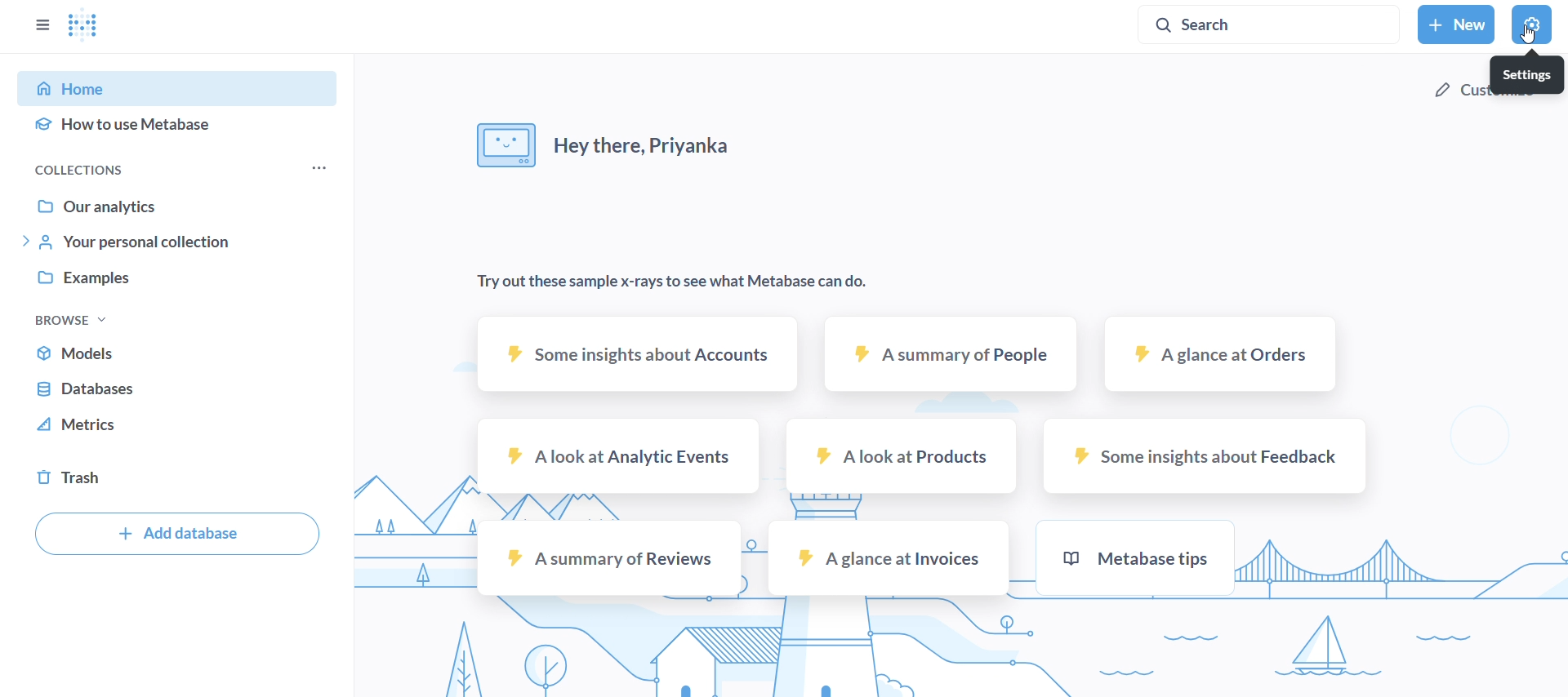  I want to click on models, so click(181, 350).